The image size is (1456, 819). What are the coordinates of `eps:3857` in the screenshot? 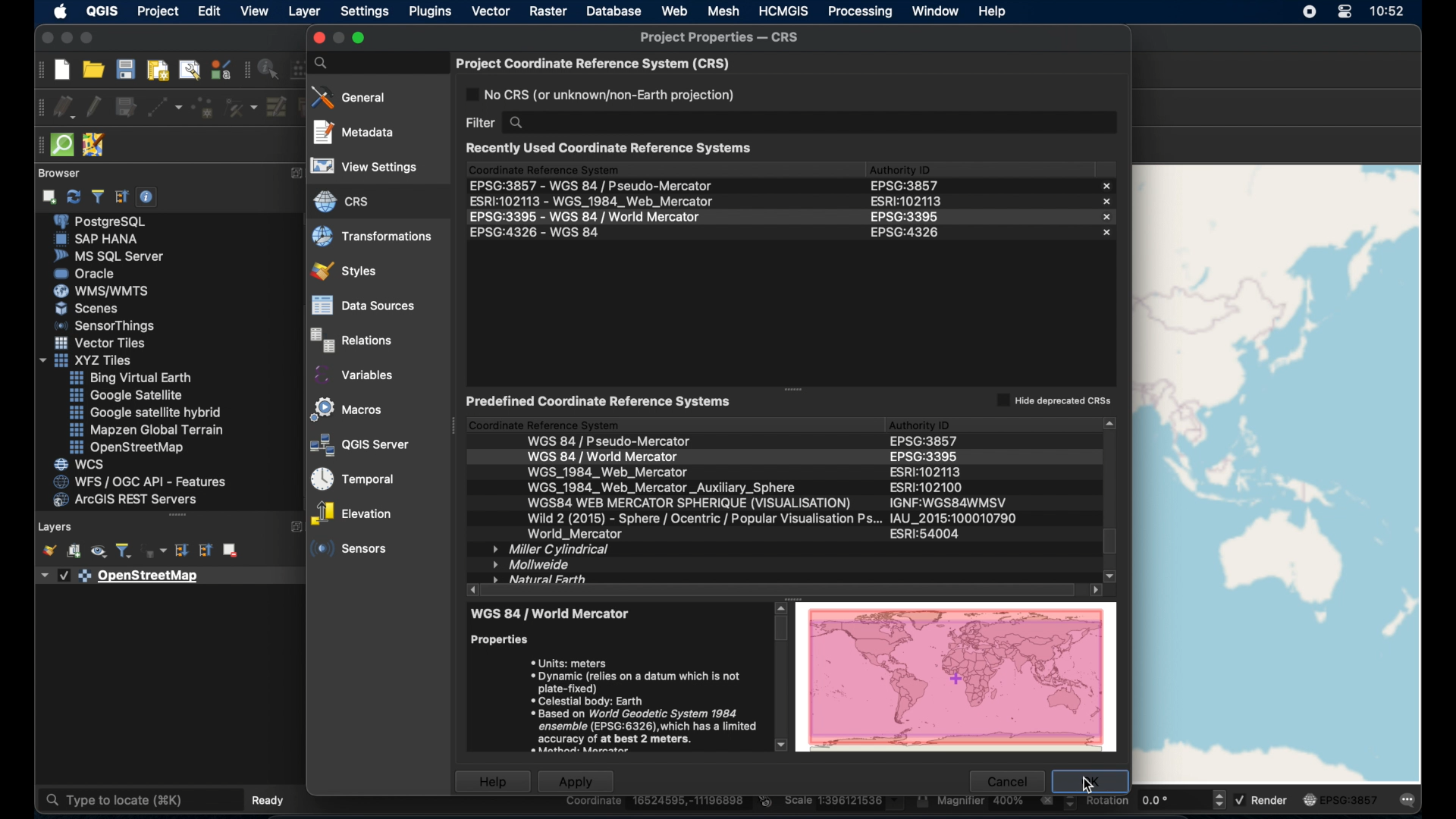 It's located at (903, 185).